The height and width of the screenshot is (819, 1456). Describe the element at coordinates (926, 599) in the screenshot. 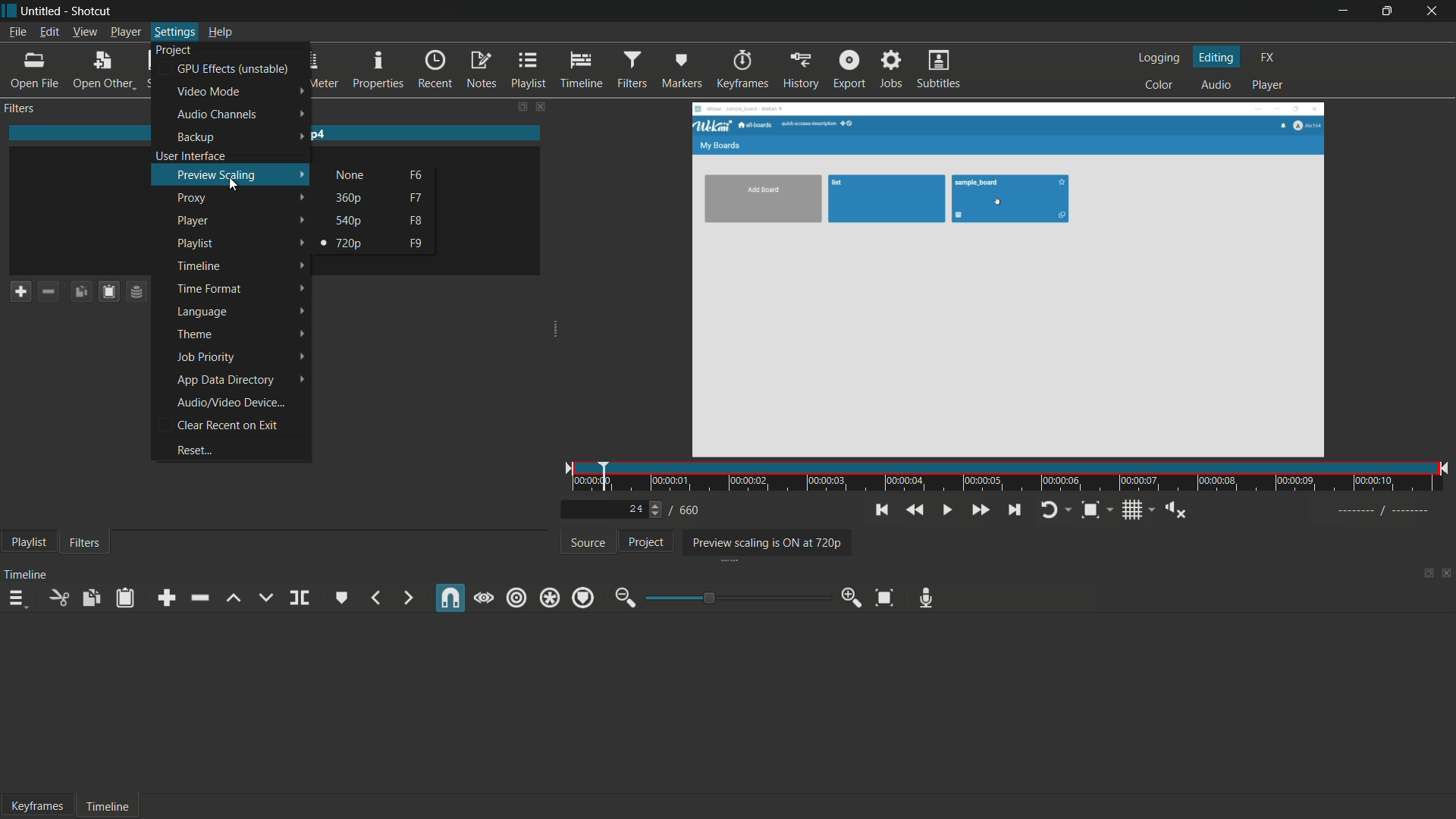

I see `record audio` at that location.